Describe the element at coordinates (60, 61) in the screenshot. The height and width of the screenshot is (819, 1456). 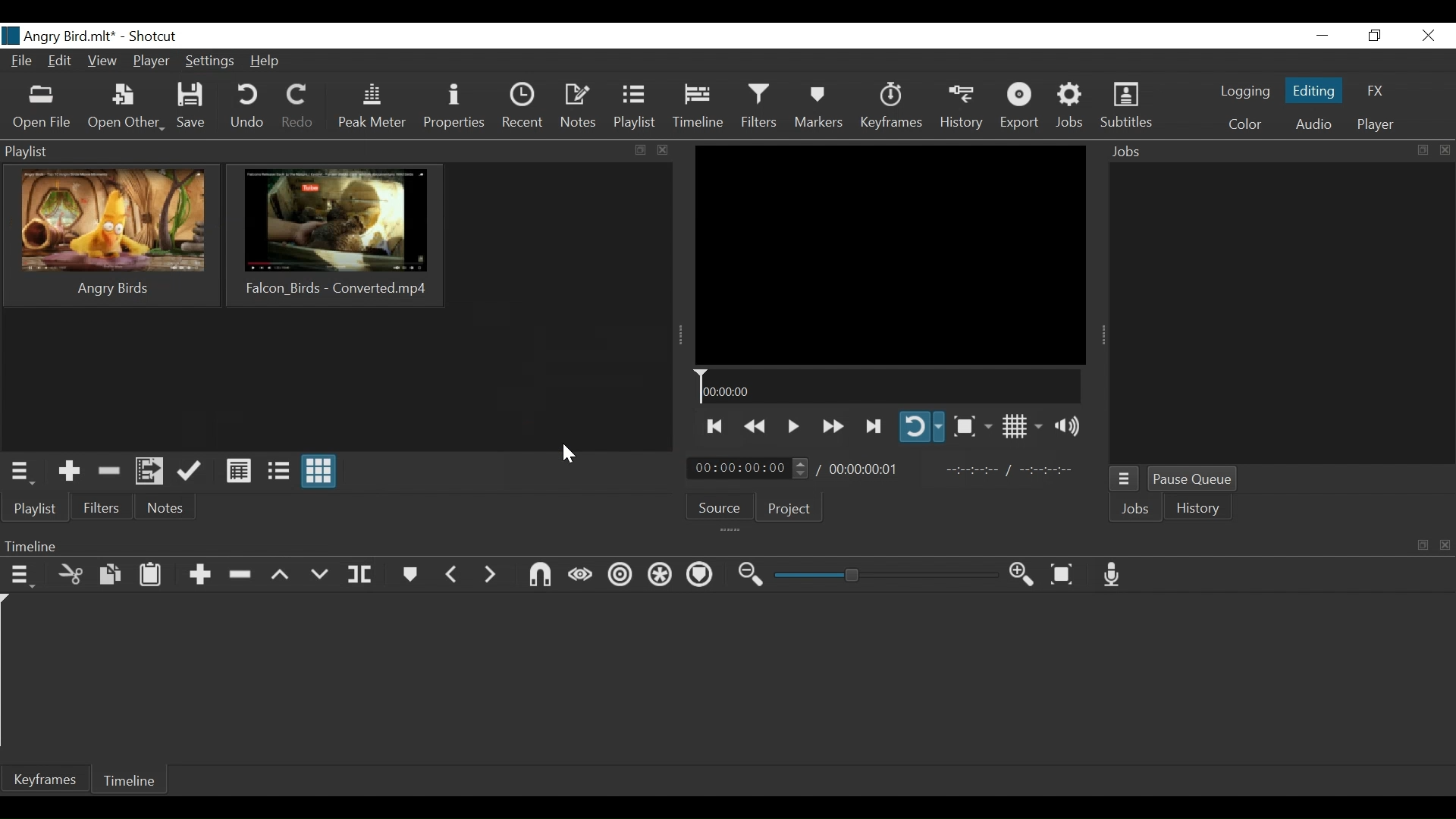
I see `Edit` at that location.